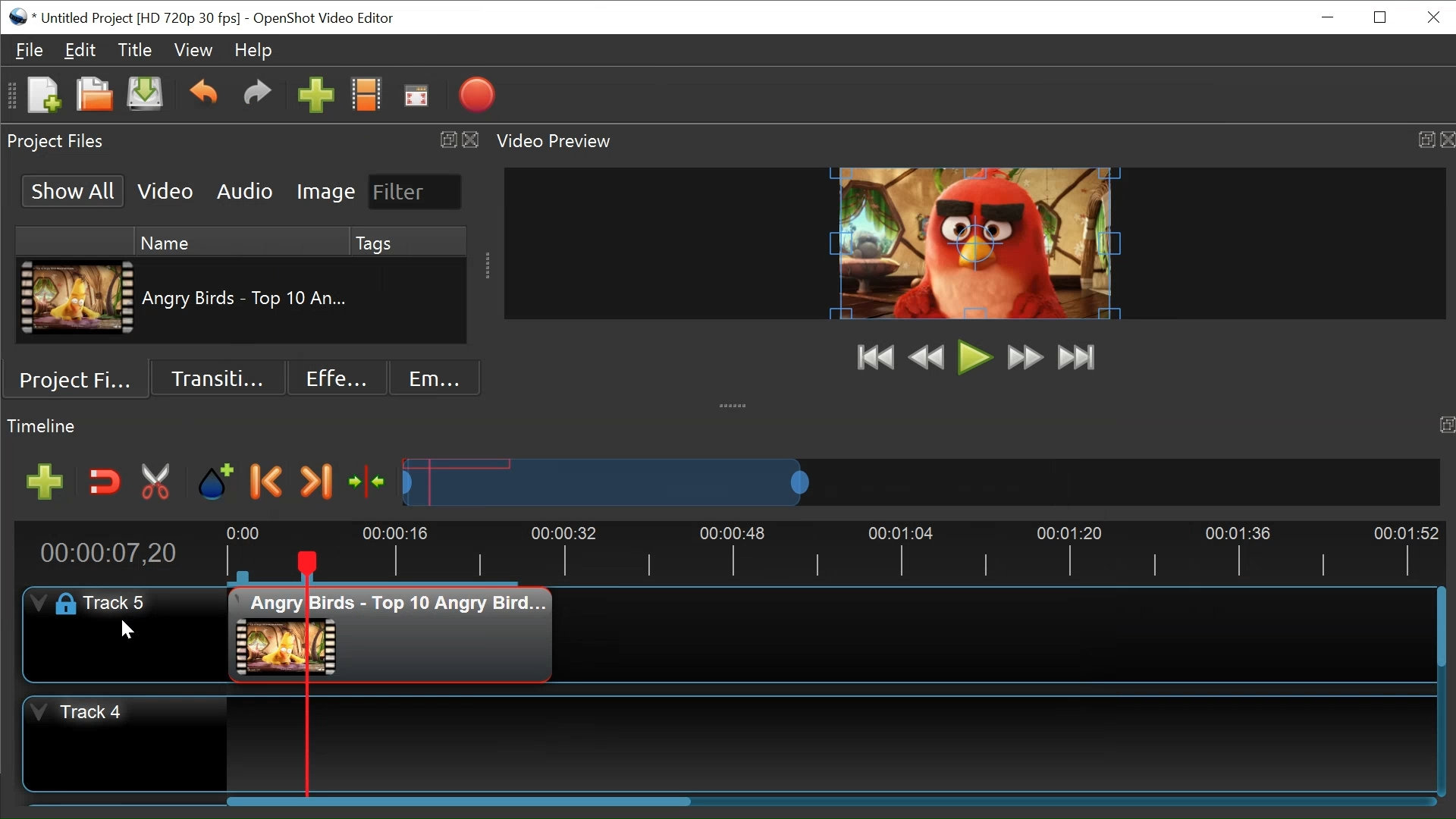  What do you see at coordinates (736, 403) in the screenshot?
I see `collapse` at bounding box center [736, 403].